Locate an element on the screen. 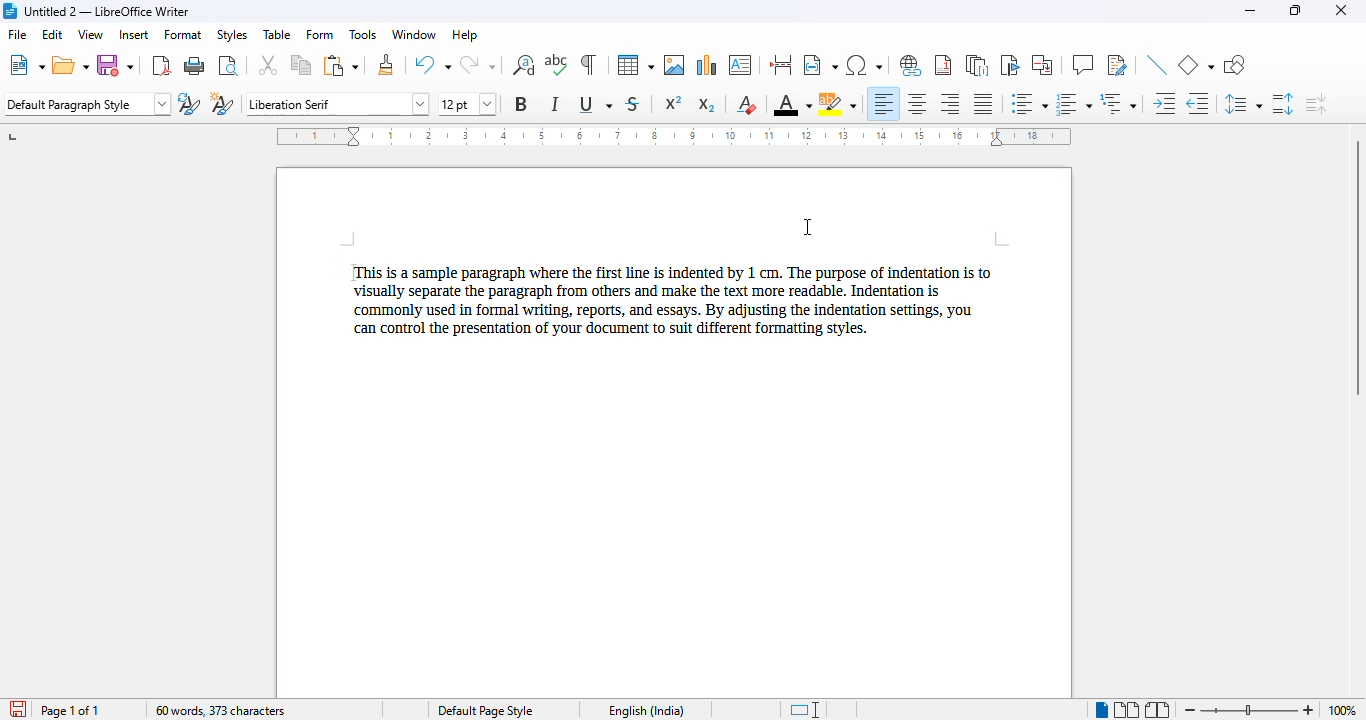  basic shapes is located at coordinates (1196, 64).